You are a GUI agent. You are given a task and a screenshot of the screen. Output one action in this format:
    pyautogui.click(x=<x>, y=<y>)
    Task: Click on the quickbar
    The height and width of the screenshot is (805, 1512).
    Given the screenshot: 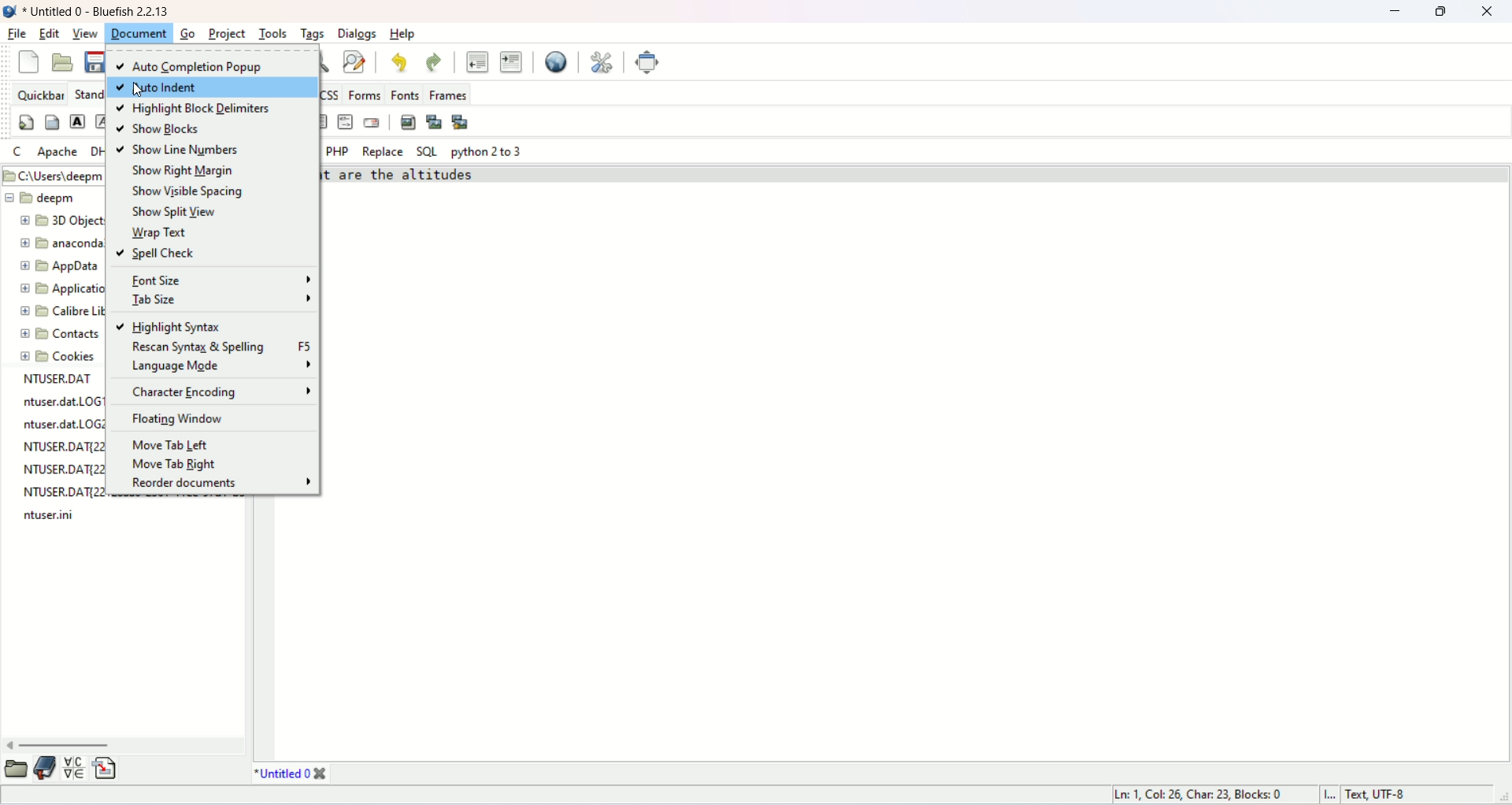 What is the action you would take?
    pyautogui.click(x=39, y=93)
    